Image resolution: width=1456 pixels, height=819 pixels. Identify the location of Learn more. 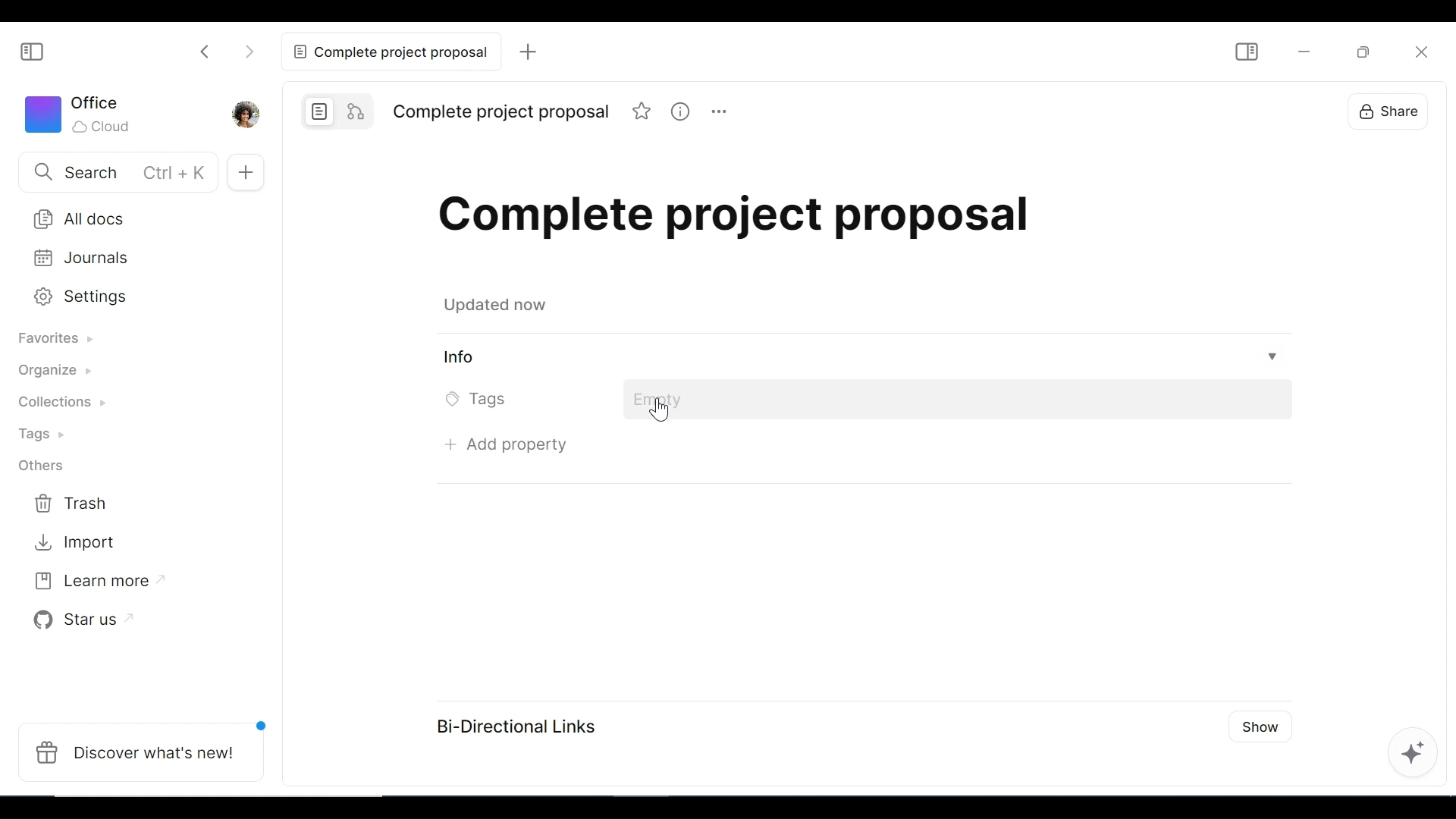
(99, 579).